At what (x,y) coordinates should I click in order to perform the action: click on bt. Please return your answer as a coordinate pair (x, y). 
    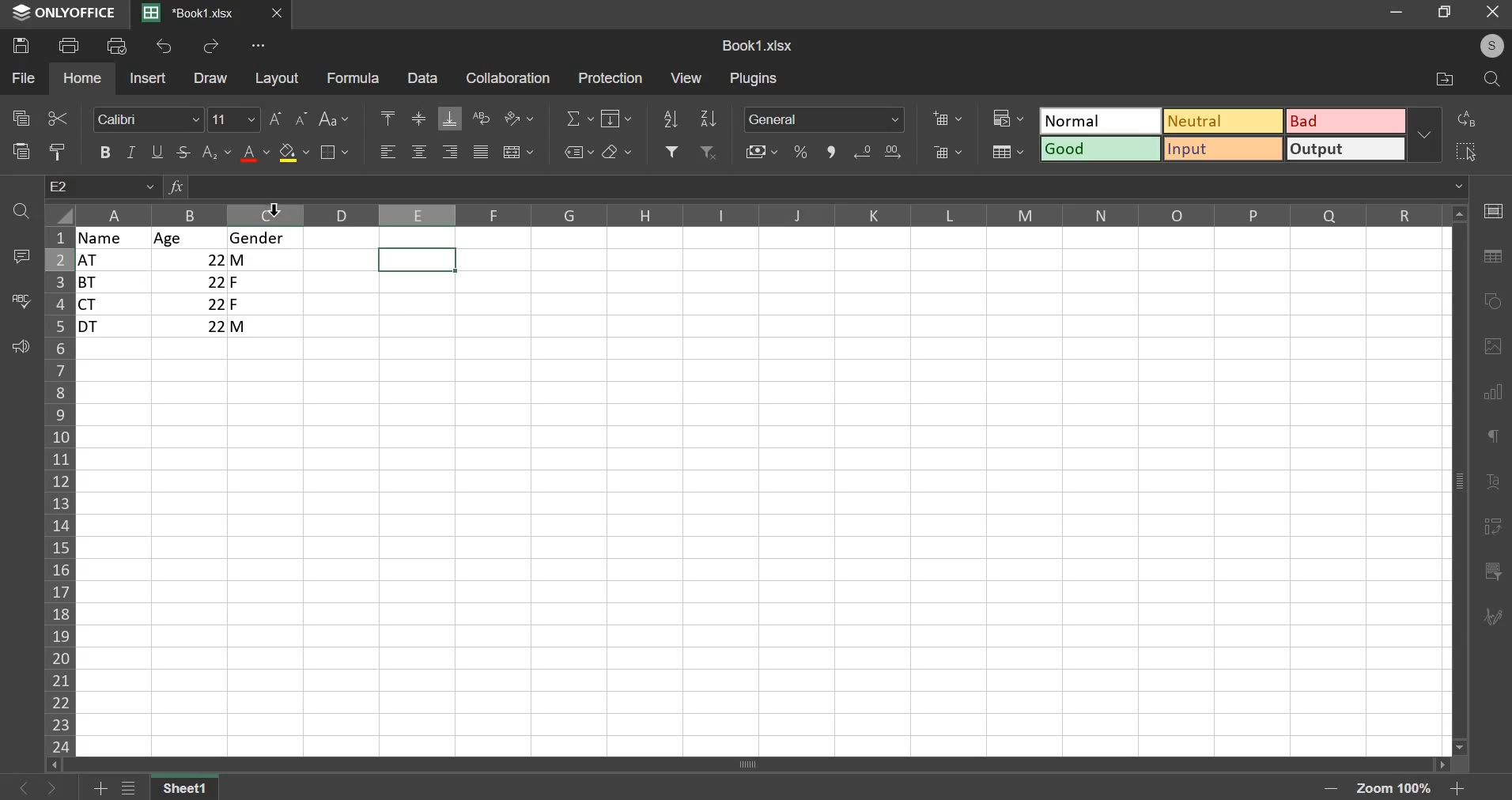
    Looking at the image, I should click on (112, 282).